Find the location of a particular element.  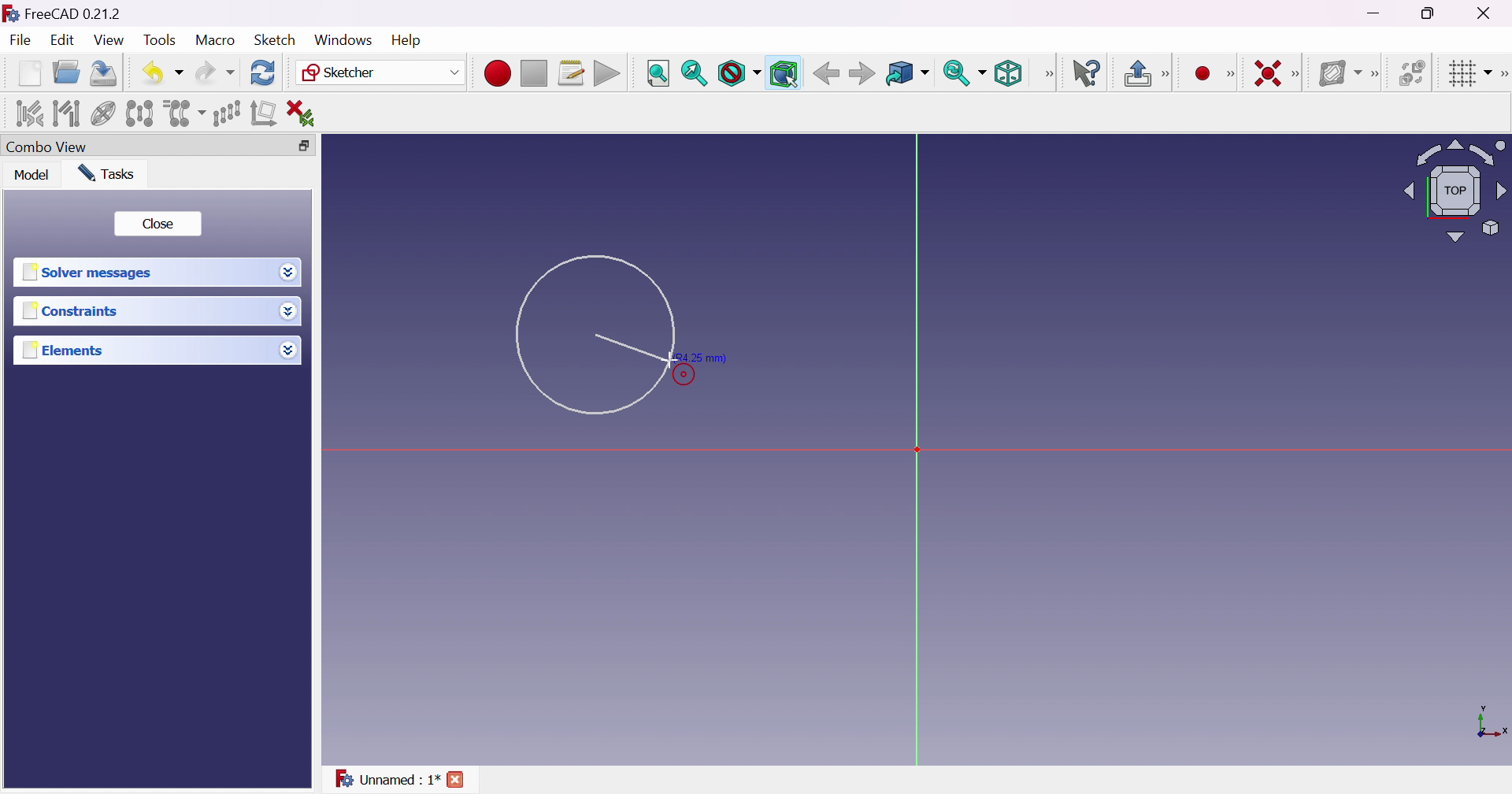

File is located at coordinates (20, 40).